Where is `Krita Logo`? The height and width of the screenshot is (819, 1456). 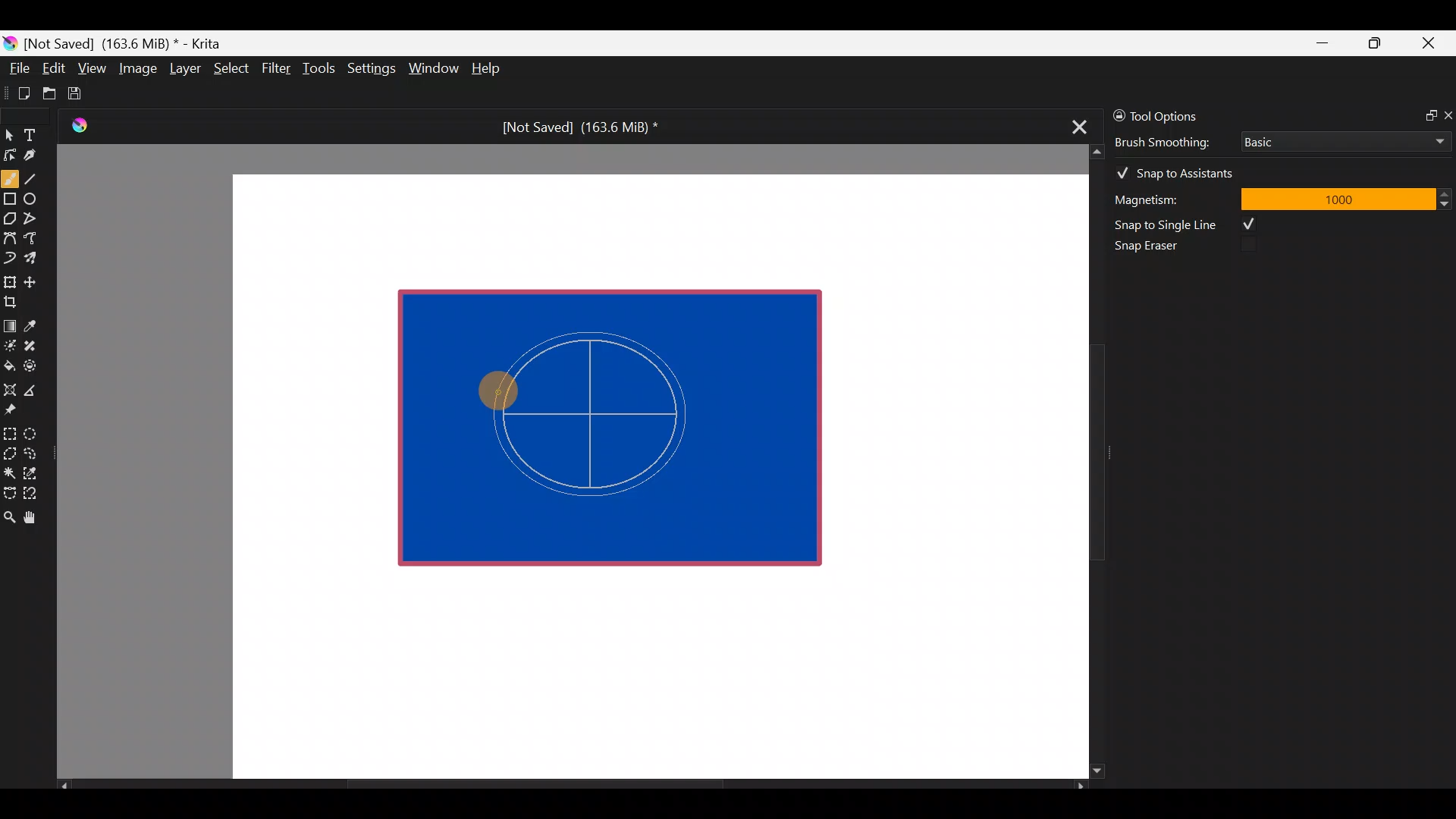
Krita Logo is located at coordinates (77, 125).